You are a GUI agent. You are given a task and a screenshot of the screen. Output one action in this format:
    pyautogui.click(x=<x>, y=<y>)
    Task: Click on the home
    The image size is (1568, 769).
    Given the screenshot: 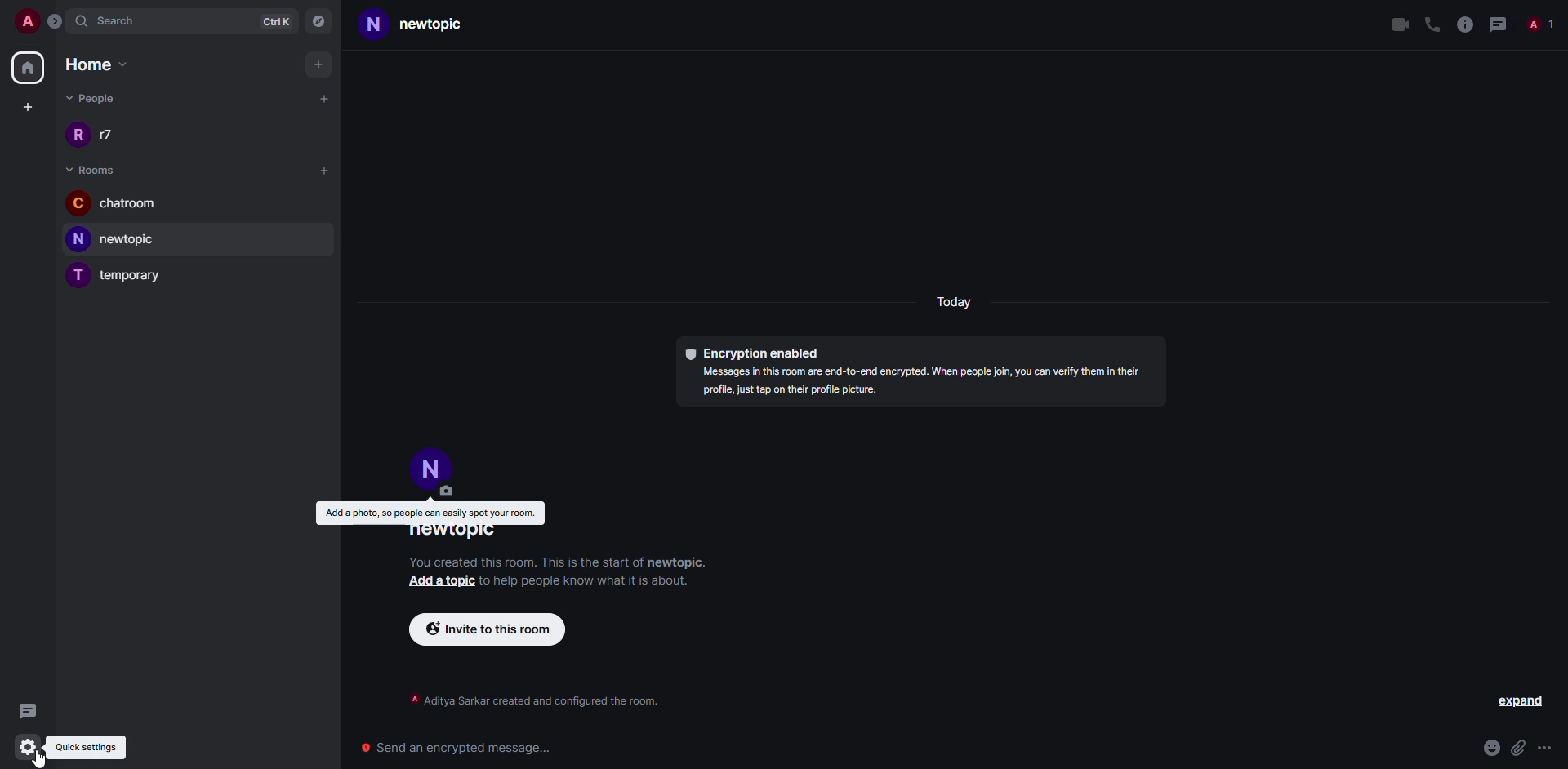 What is the action you would take?
    pyautogui.click(x=27, y=68)
    